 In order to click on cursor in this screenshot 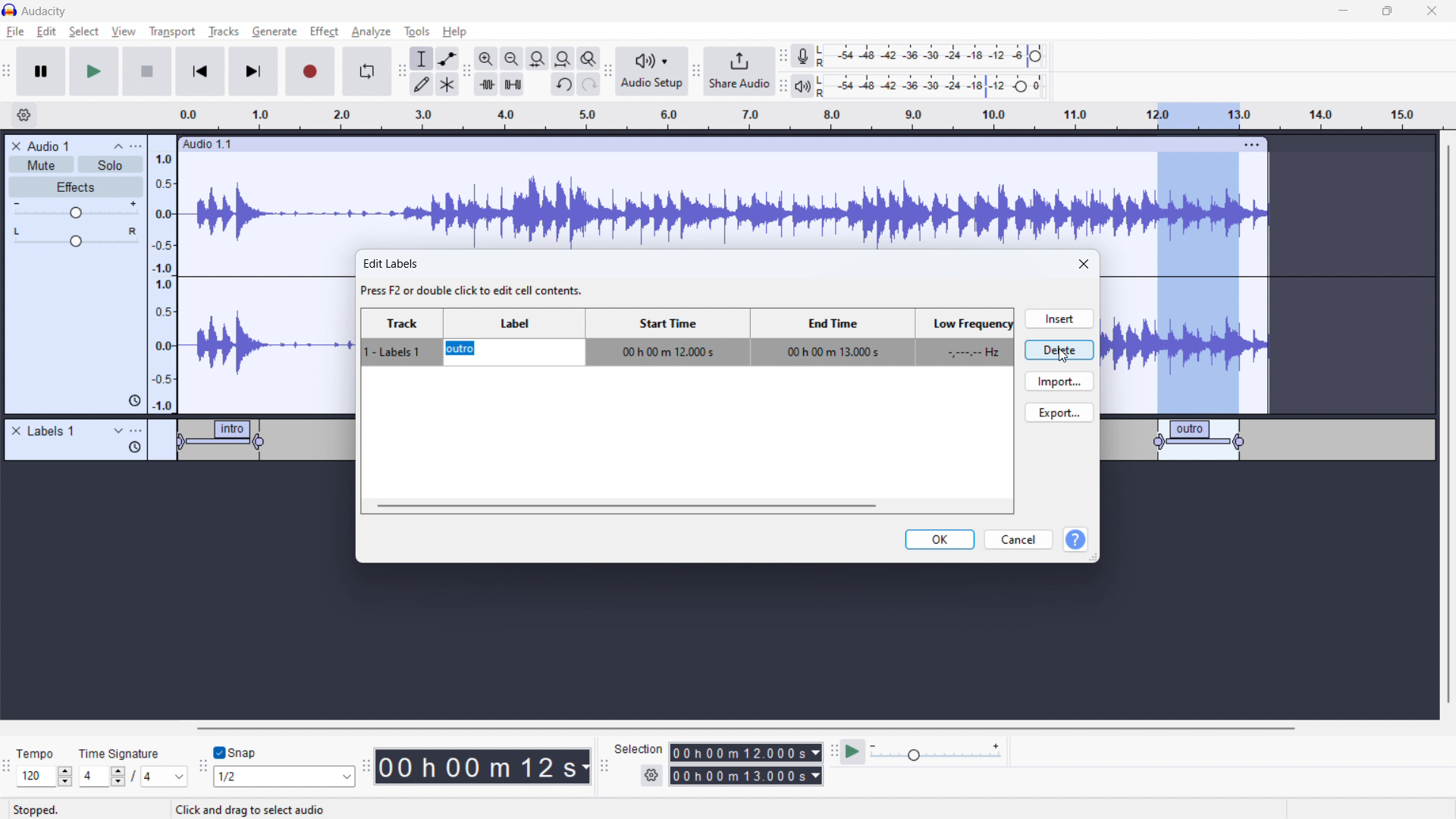, I will do `click(583, 362)`.